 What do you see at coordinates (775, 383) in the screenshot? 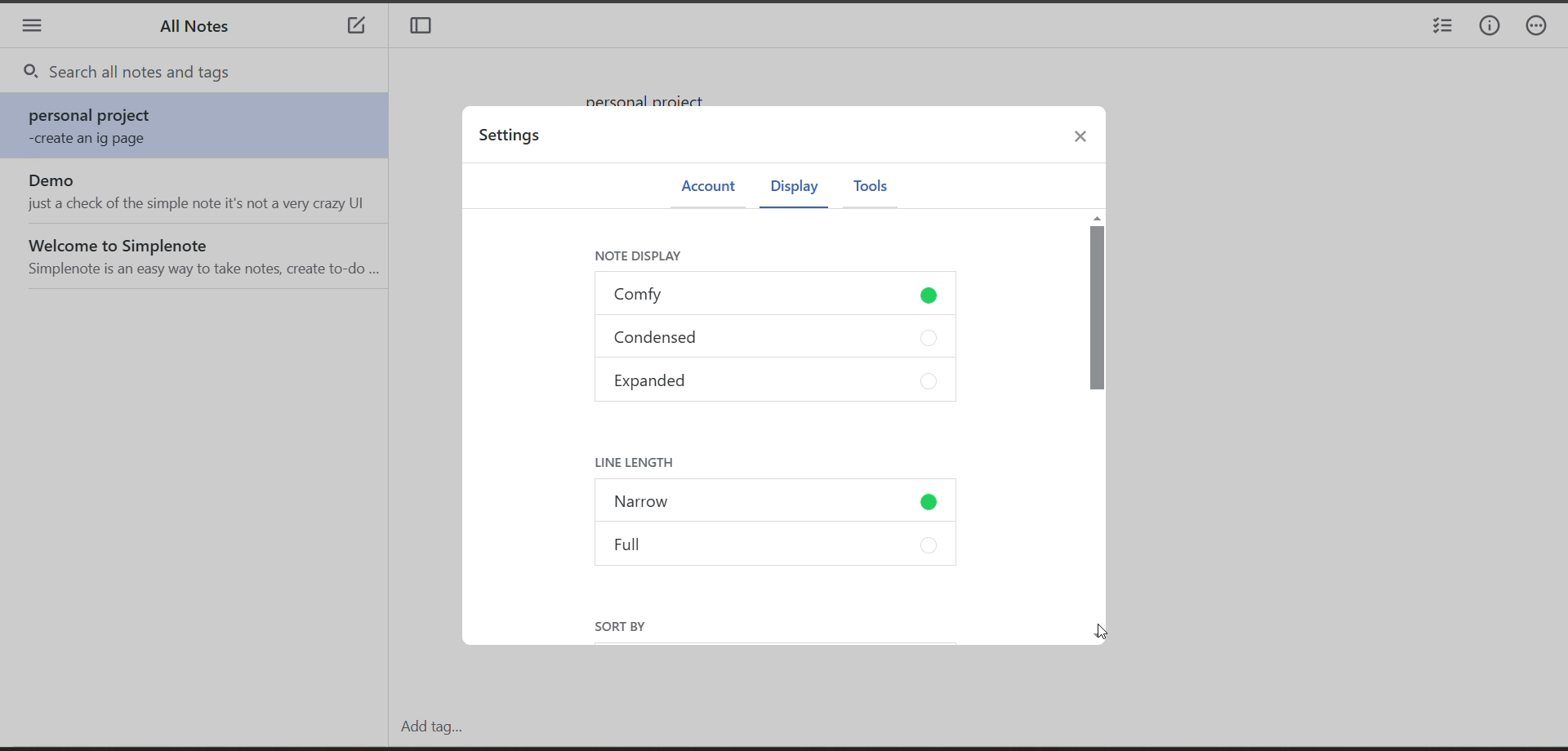
I see `expanded` at bounding box center [775, 383].